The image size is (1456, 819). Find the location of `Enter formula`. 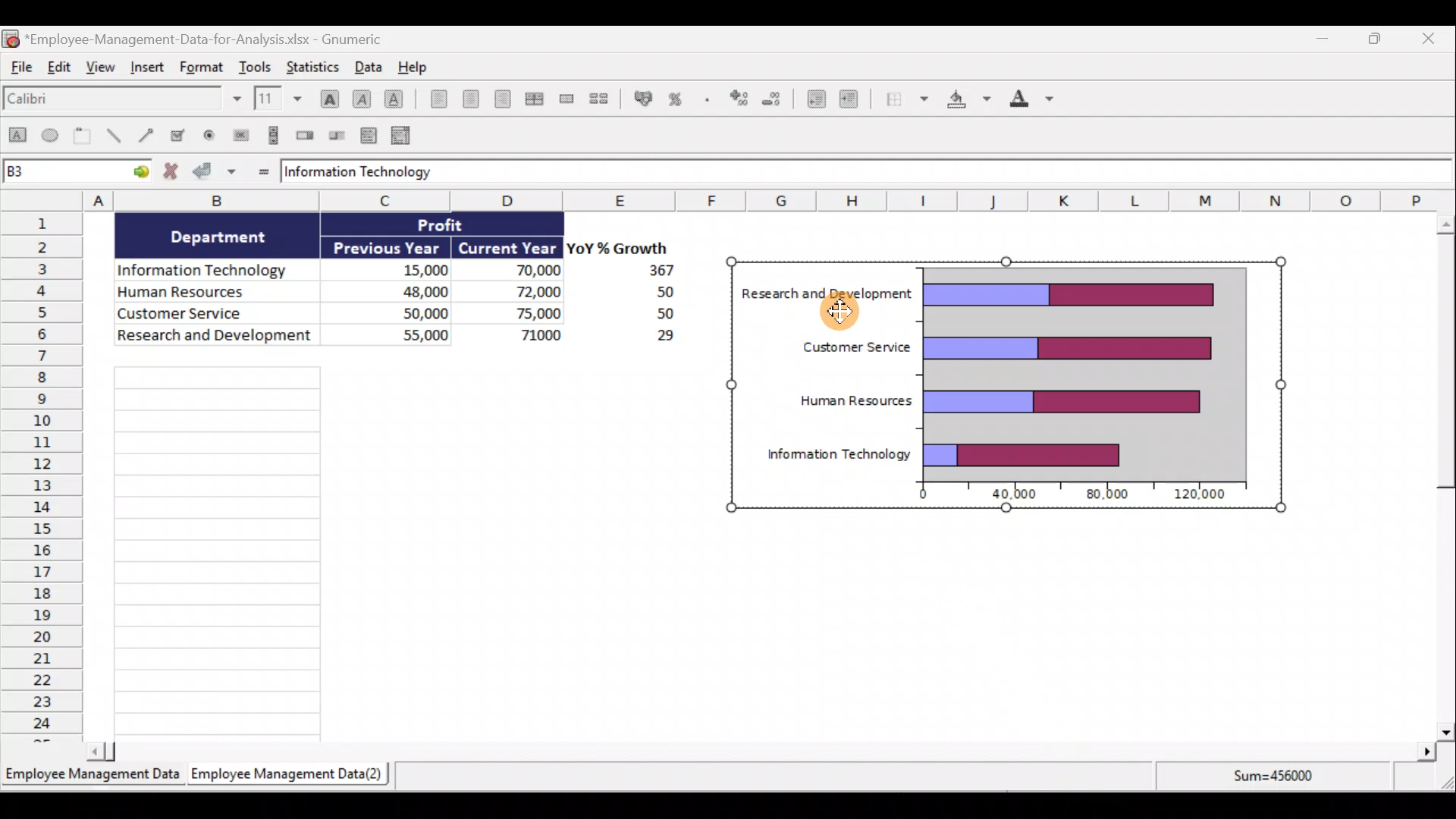

Enter formula is located at coordinates (260, 171).